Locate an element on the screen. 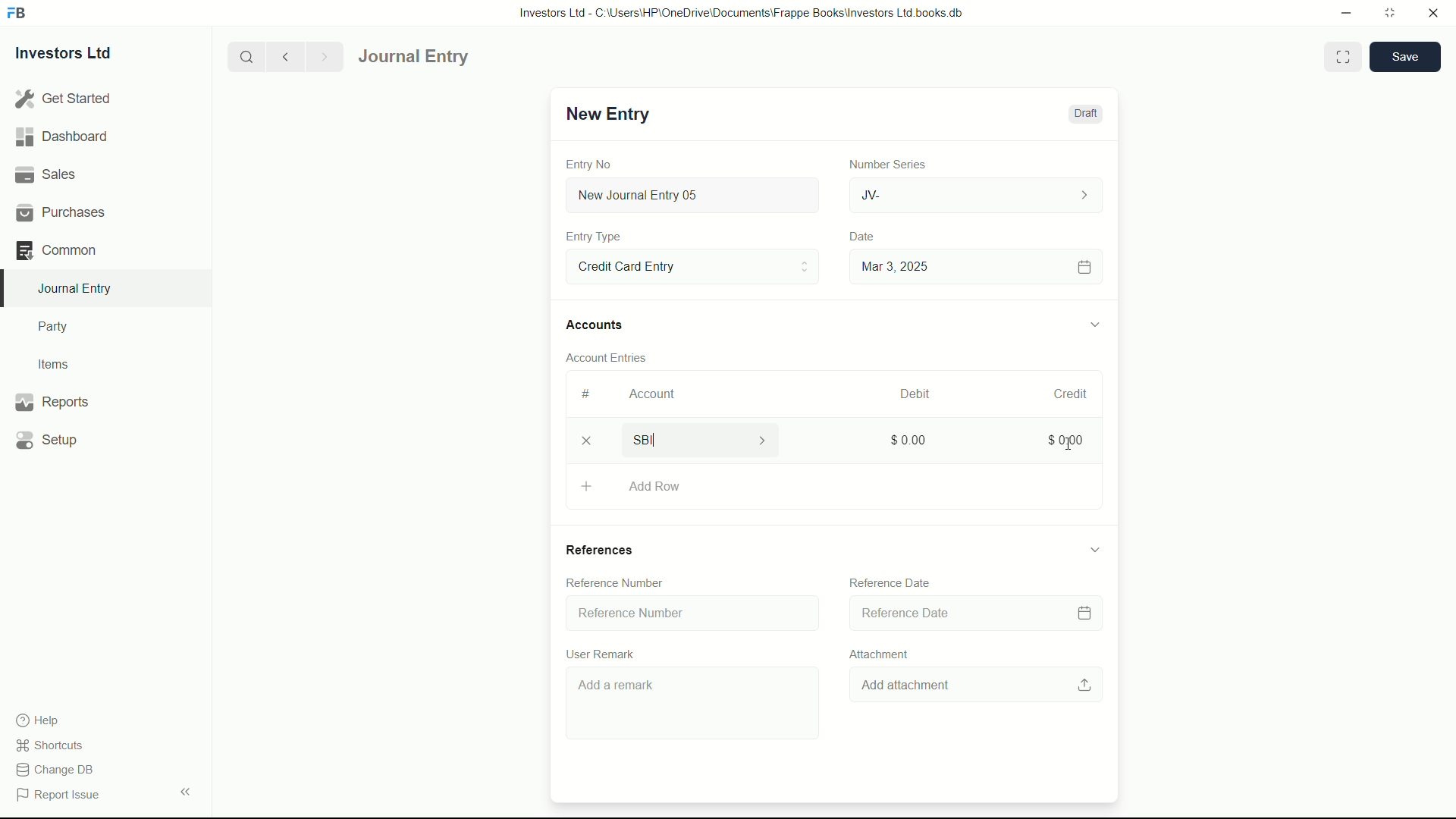  Reference Date is located at coordinates (890, 582).